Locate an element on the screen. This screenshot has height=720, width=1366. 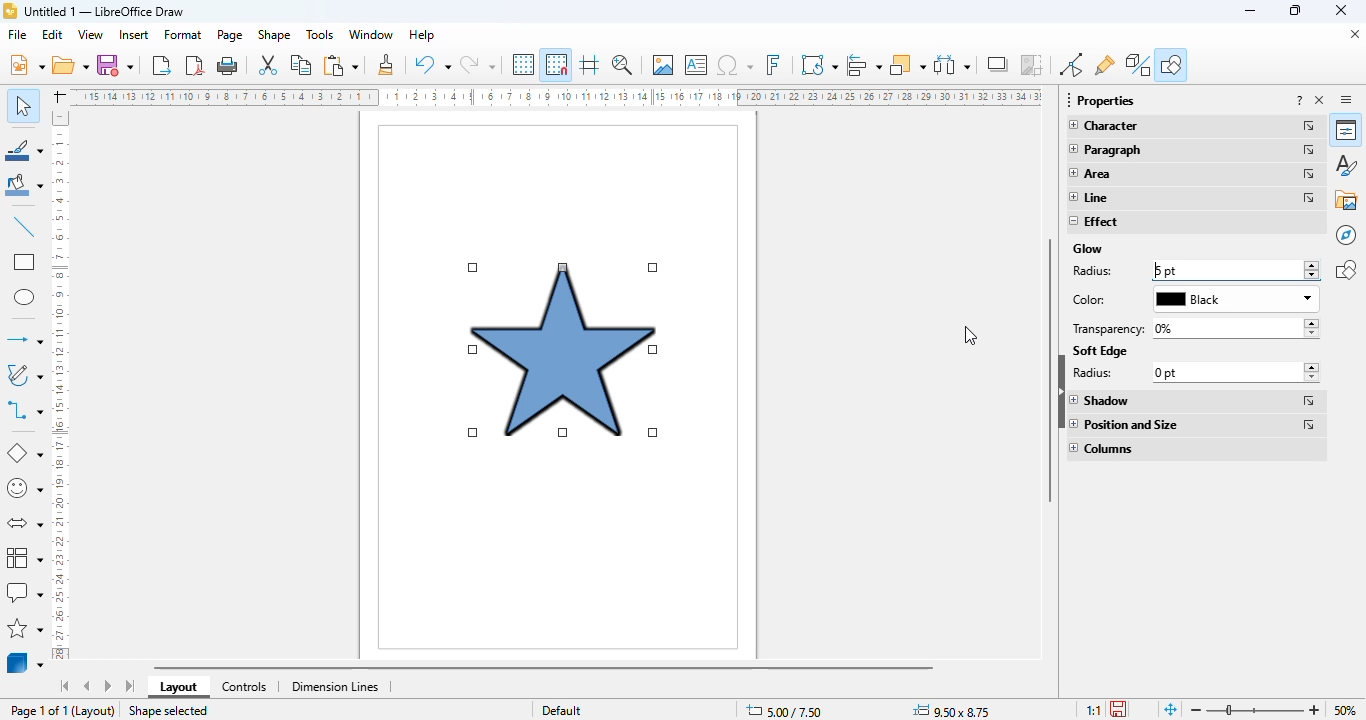
ruler is located at coordinates (61, 384).